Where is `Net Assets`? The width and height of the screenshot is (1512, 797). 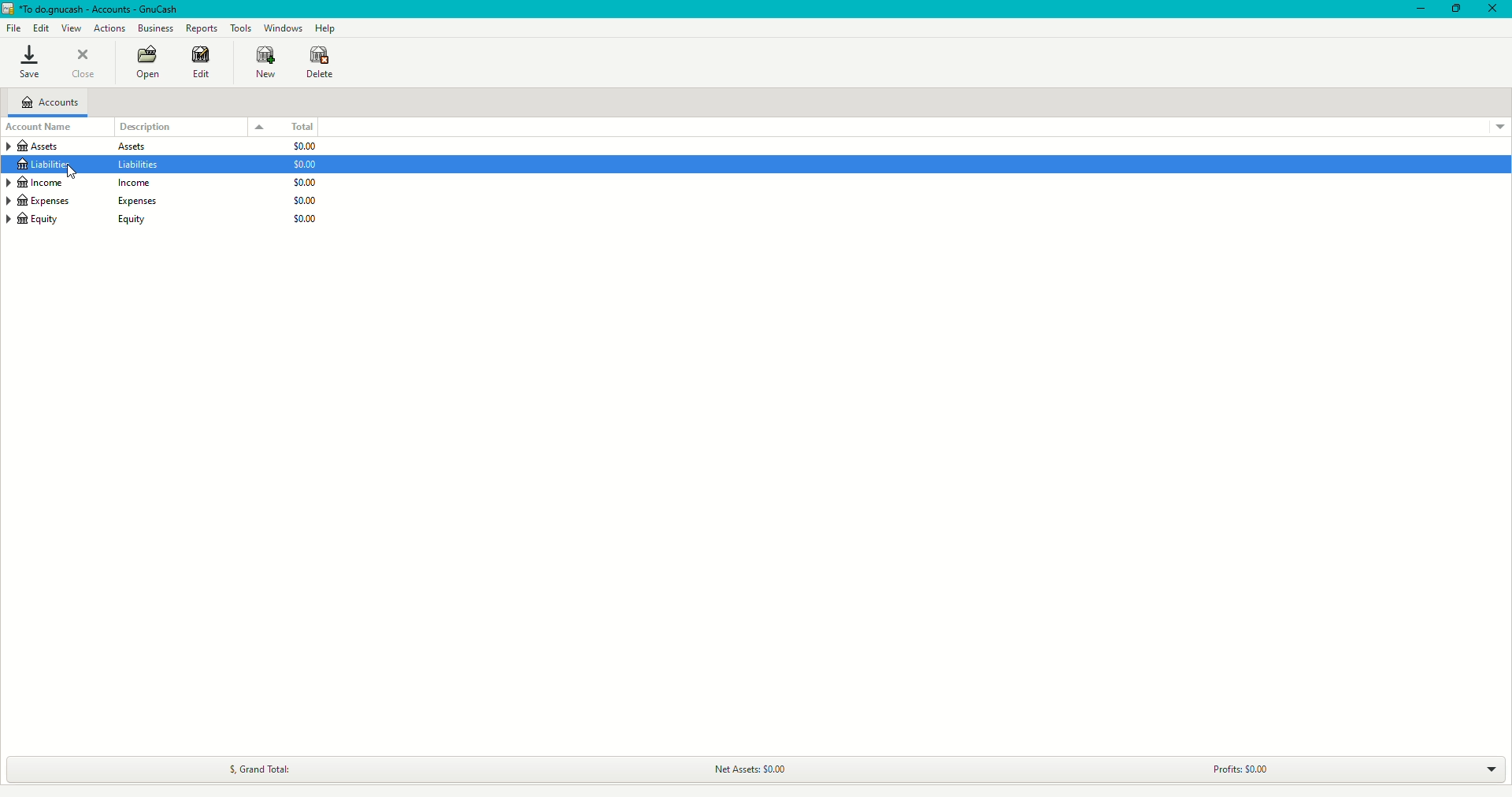 Net Assets is located at coordinates (747, 769).